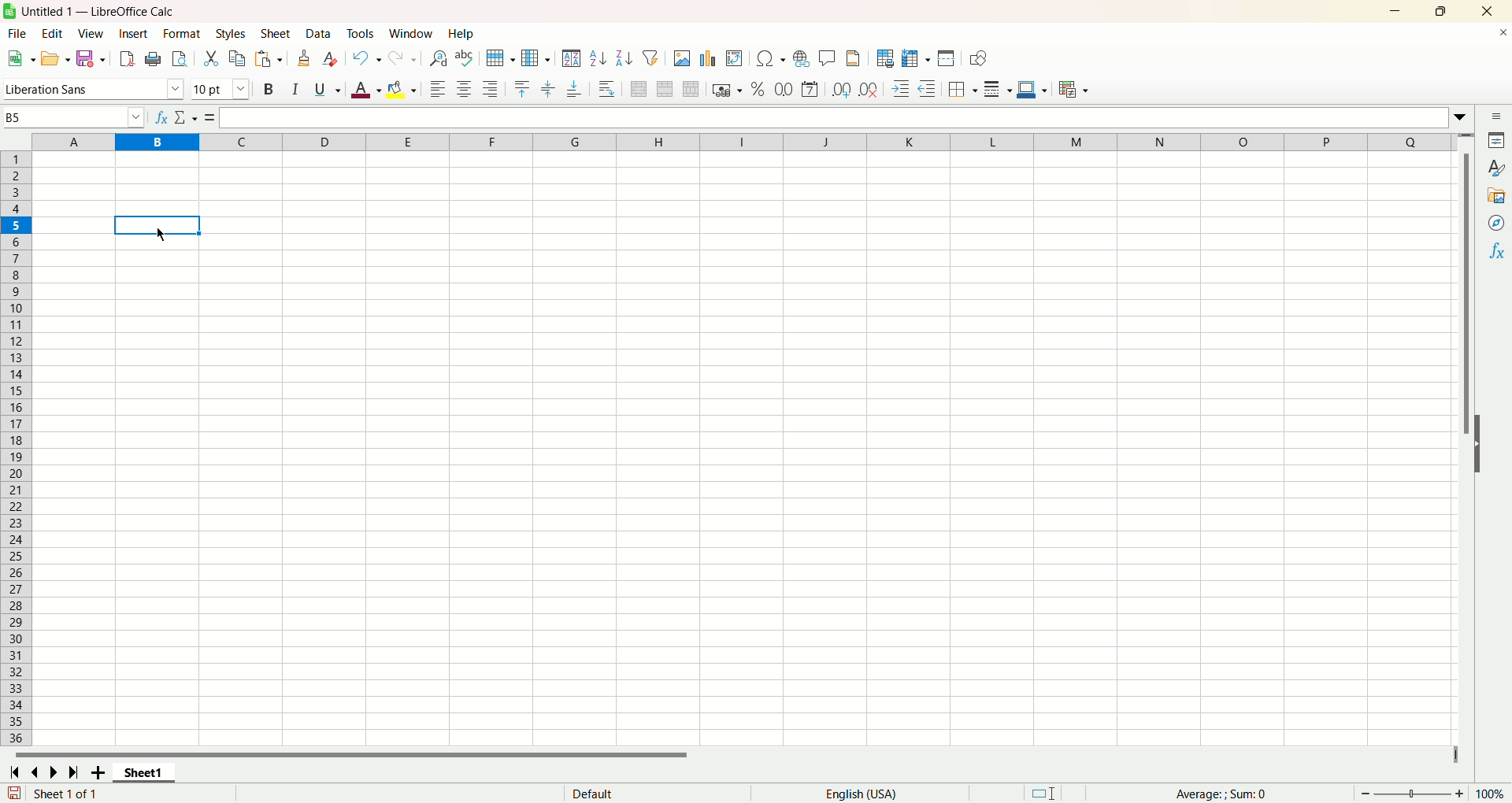 This screenshot has width=1512, height=803. What do you see at coordinates (157, 142) in the screenshot?
I see `column selected` at bounding box center [157, 142].